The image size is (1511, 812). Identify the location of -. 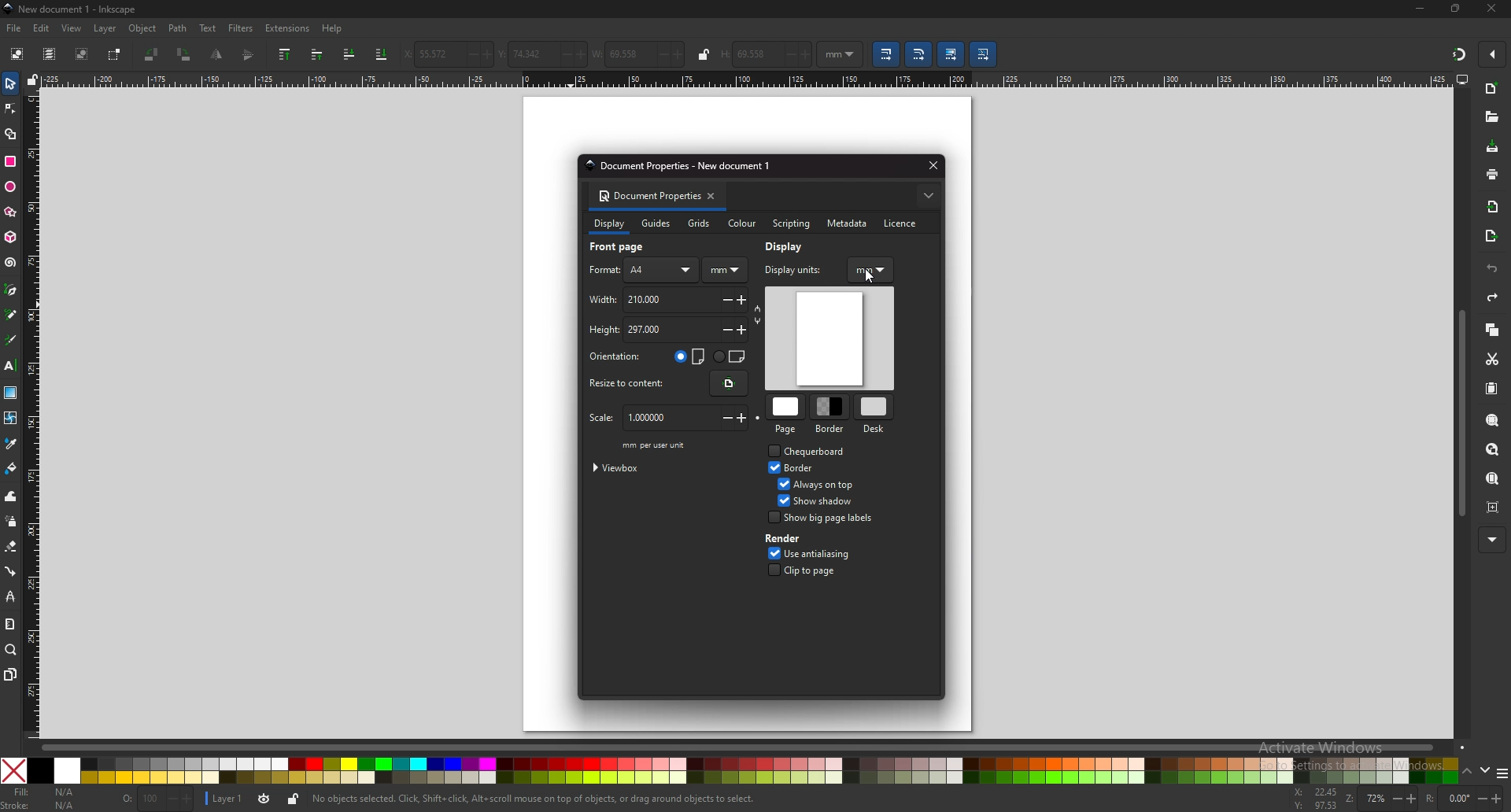
(659, 55).